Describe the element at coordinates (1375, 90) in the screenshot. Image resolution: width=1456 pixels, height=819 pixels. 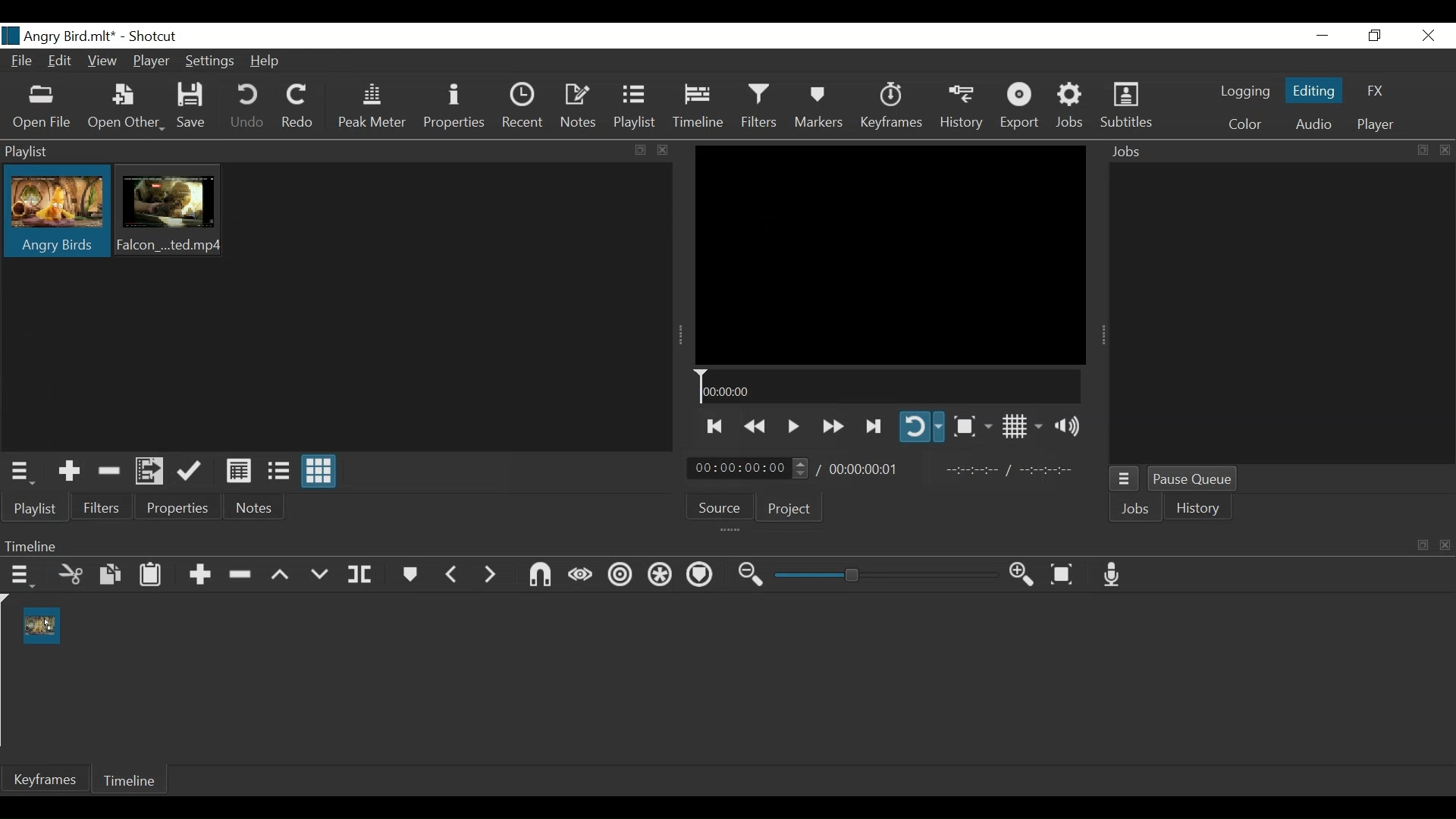
I see `FX` at that location.